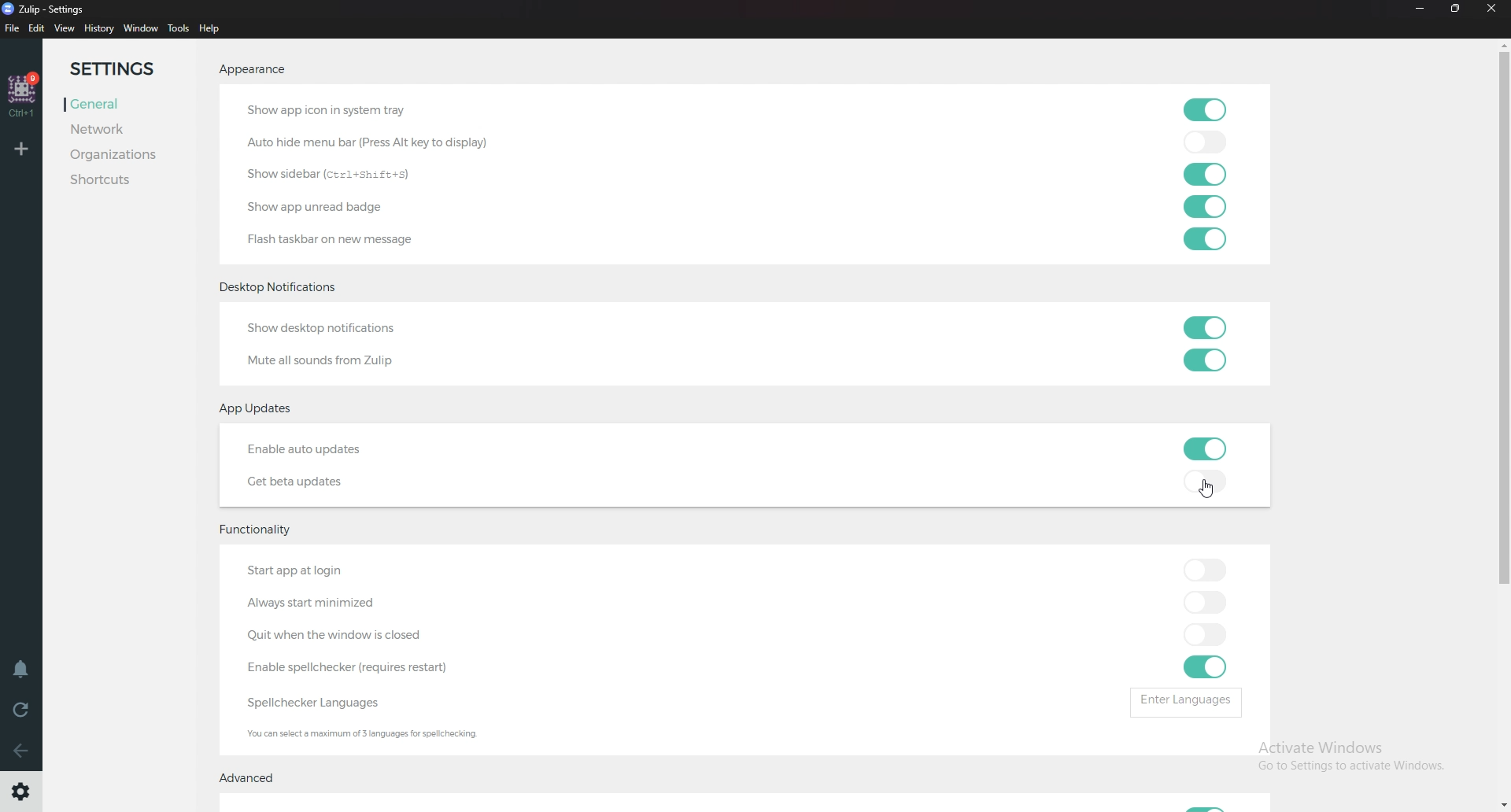  I want to click on Resize, so click(1457, 11).